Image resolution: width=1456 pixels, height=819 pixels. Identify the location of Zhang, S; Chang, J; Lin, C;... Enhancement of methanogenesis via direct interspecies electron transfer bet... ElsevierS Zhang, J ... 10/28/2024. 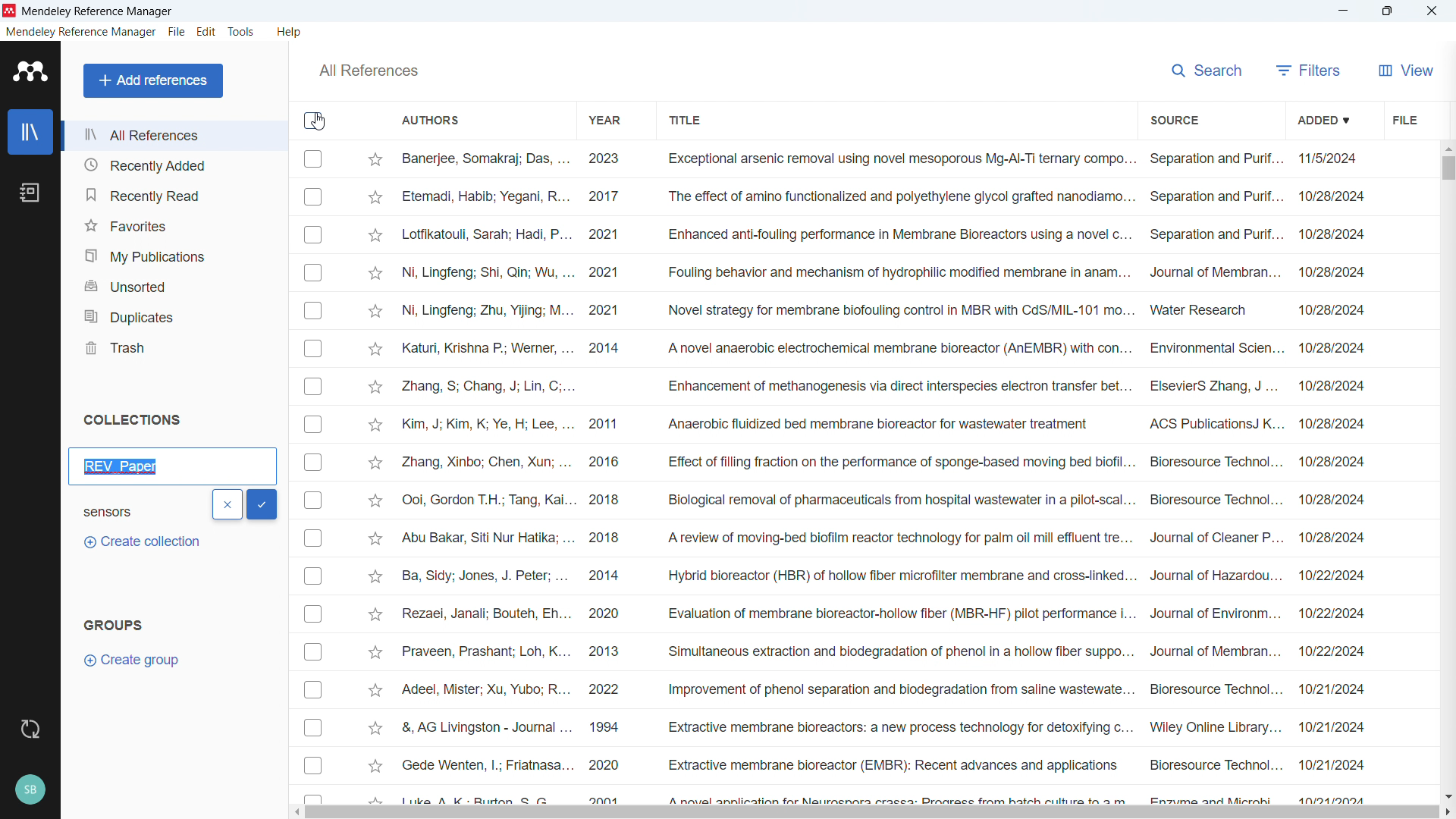
(884, 387).